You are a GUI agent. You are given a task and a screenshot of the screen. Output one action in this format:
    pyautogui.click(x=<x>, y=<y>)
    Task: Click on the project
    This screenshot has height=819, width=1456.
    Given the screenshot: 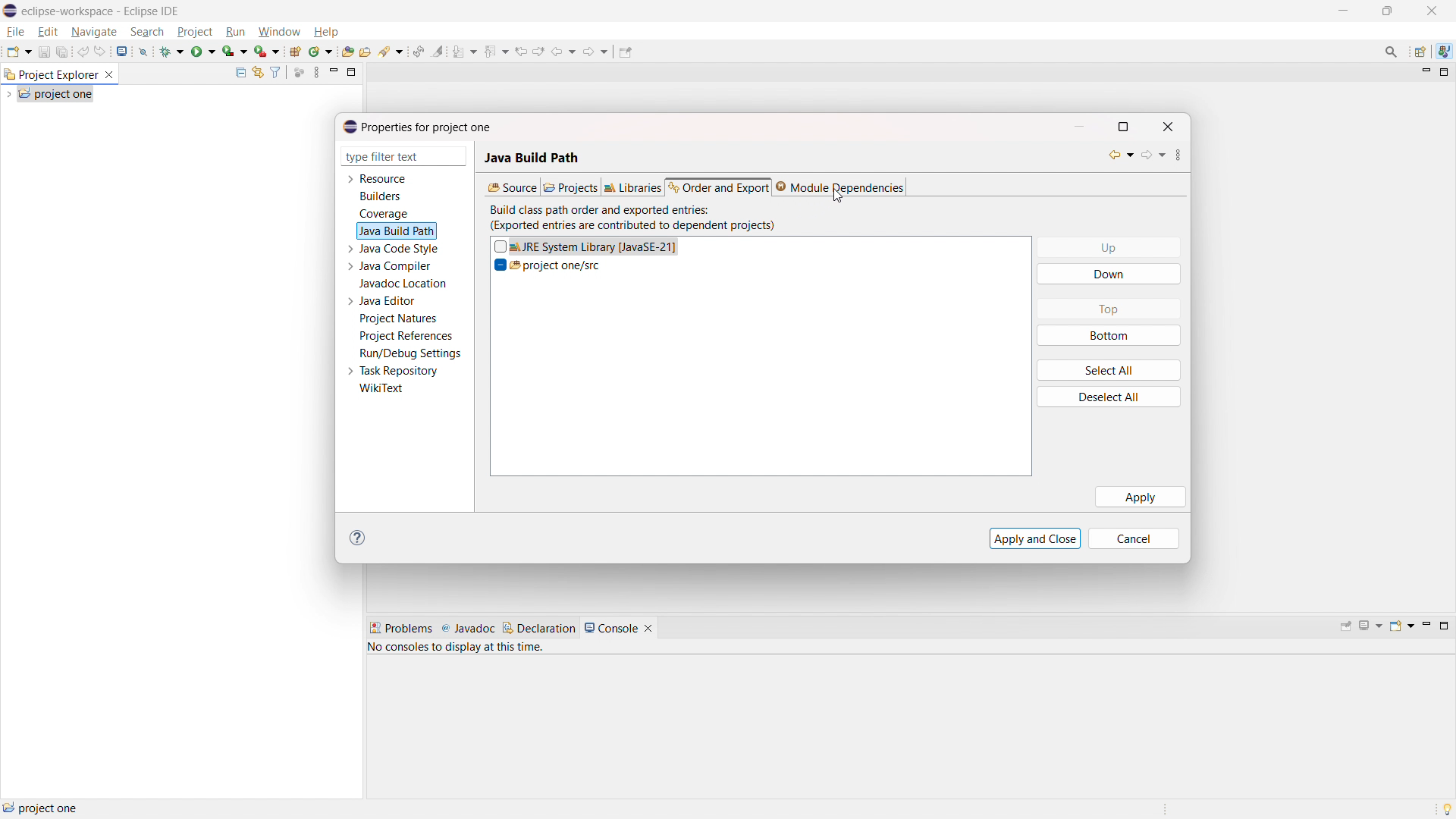 What is the action you would take?
    pyautogui.click(x=195, y=32)
    